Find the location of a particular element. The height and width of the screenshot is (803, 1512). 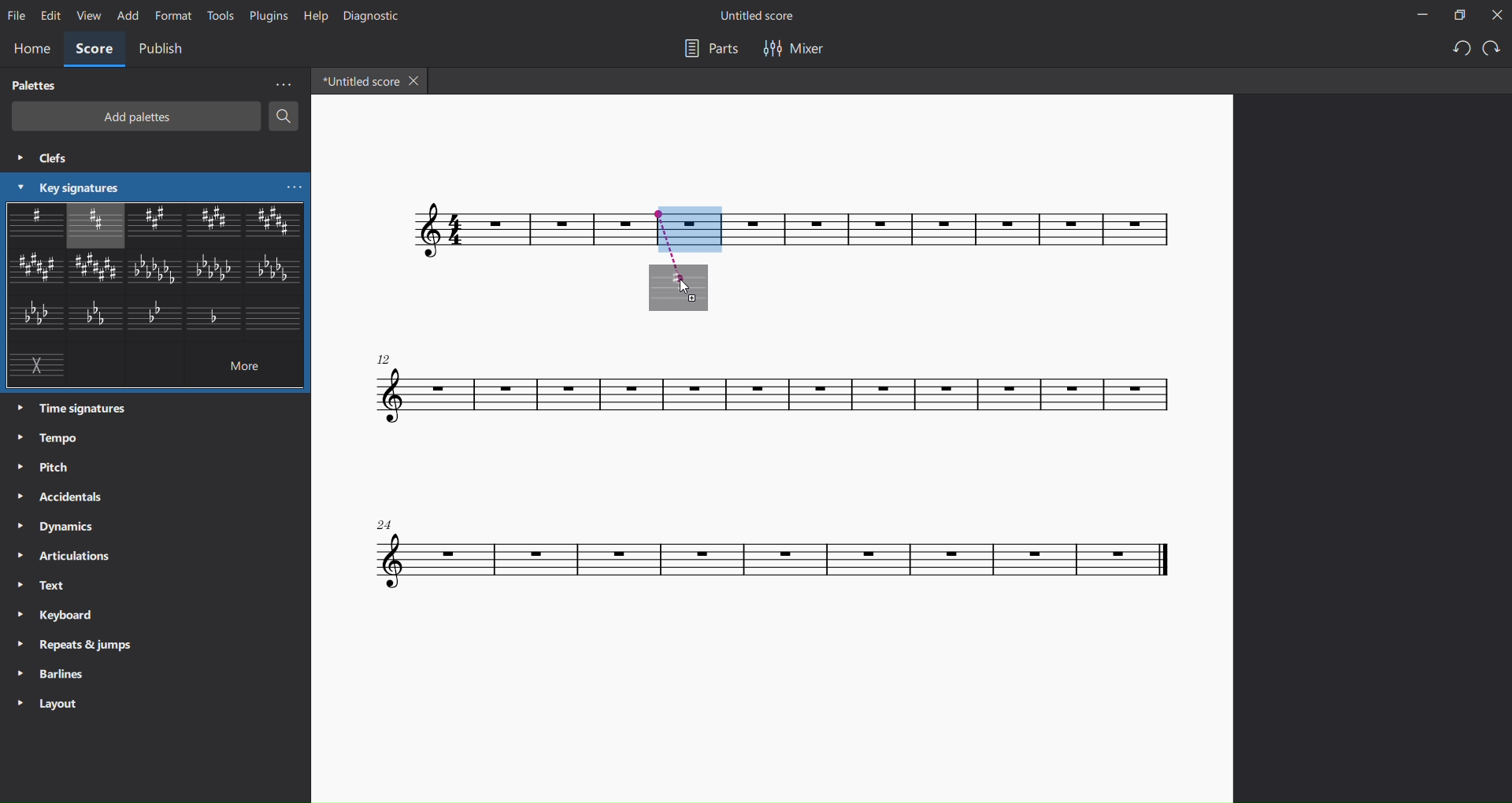

help is located at coordinates (313, 15).